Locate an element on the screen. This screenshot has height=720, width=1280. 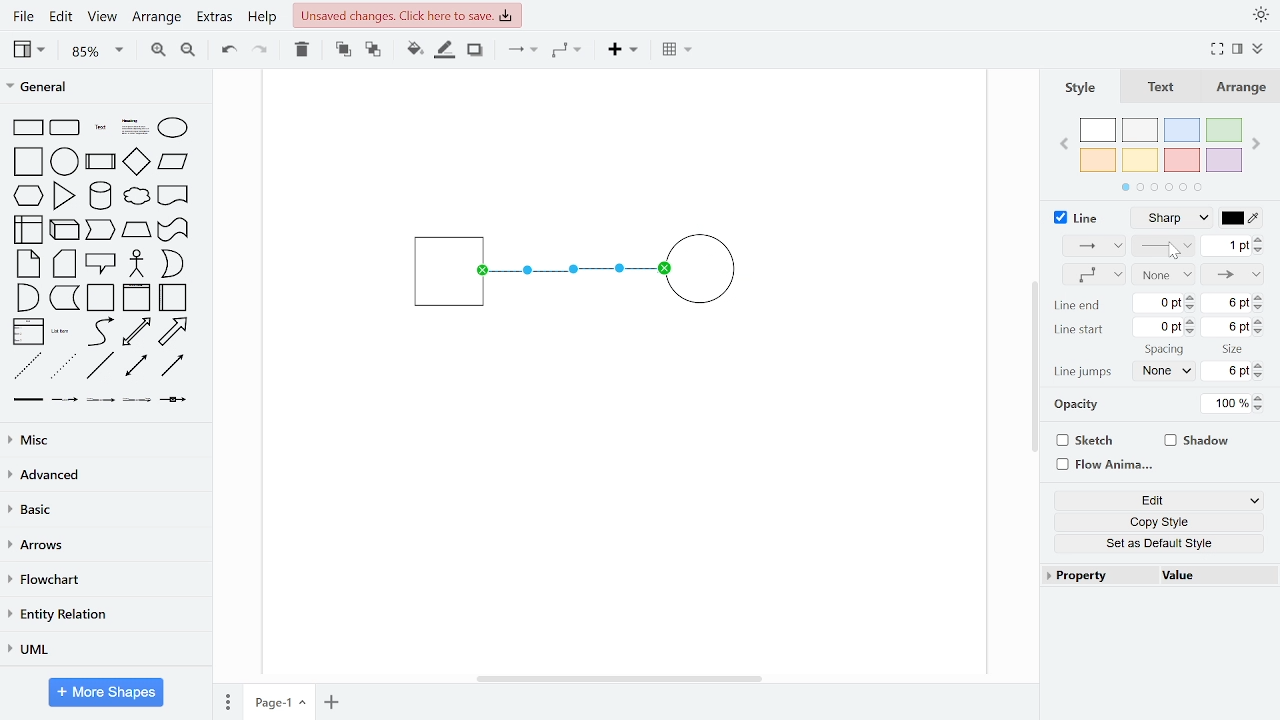
general is located at coordinates (107, 89).